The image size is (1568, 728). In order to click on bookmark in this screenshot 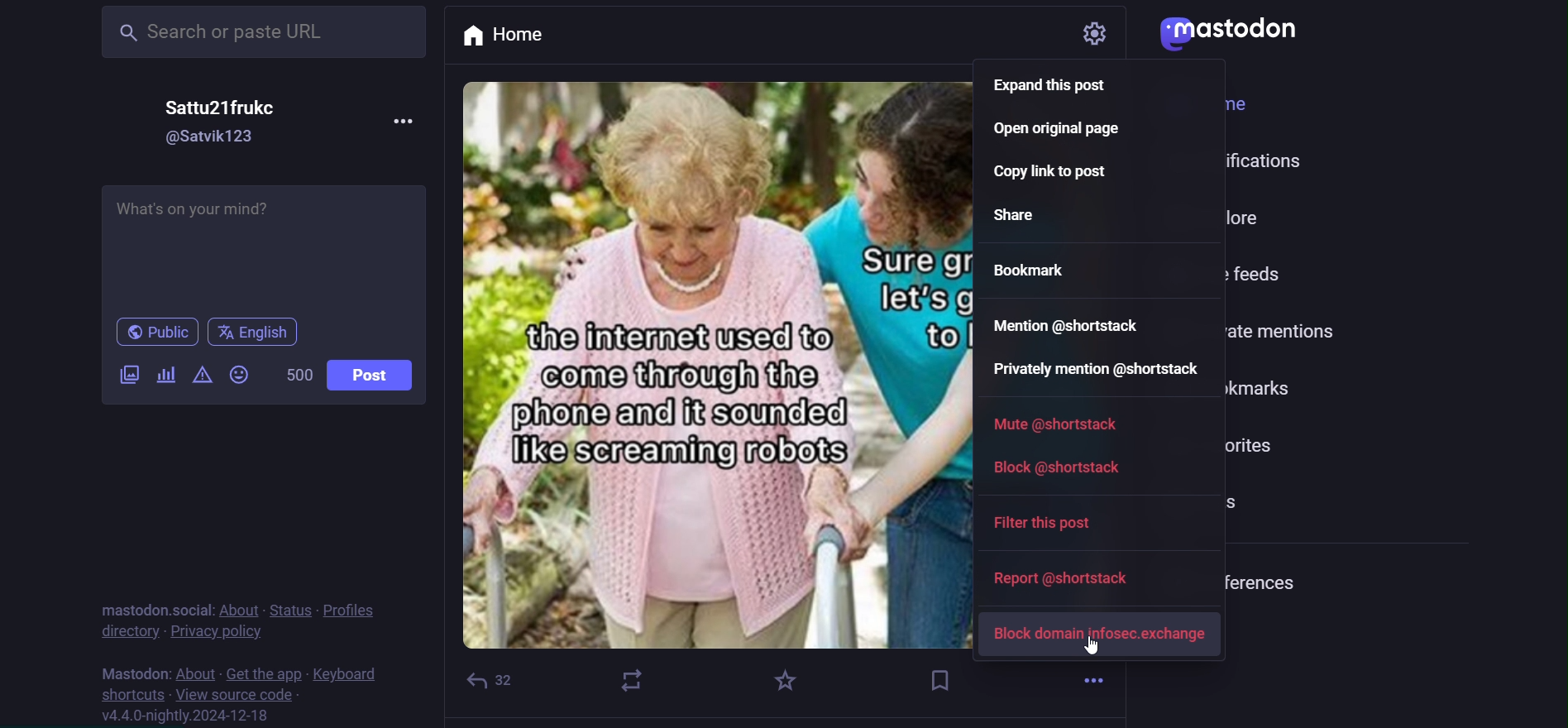, I will do `click(944, 679)`.